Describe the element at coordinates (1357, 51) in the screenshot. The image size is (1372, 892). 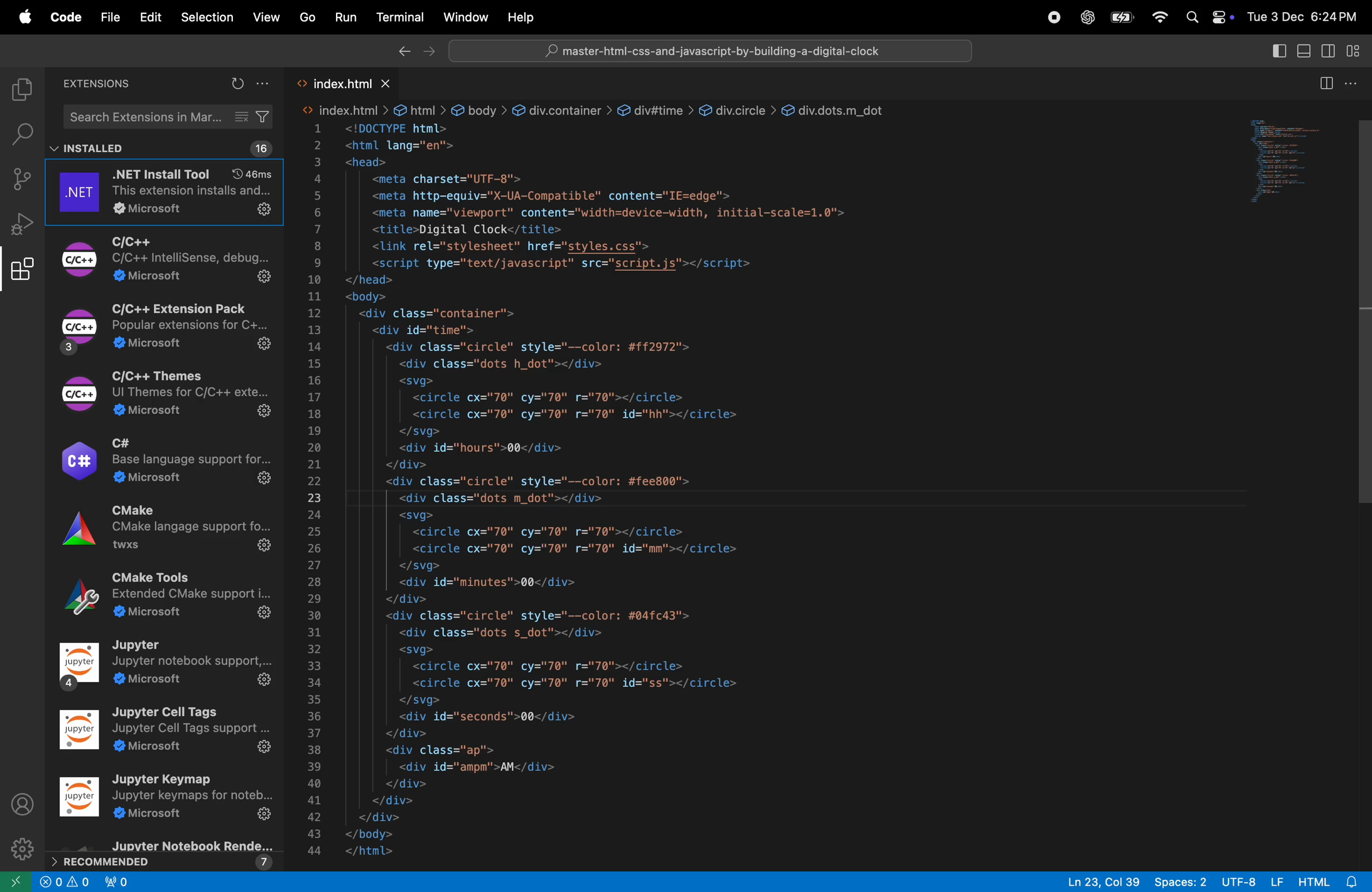
I see `customize layout` at that location.